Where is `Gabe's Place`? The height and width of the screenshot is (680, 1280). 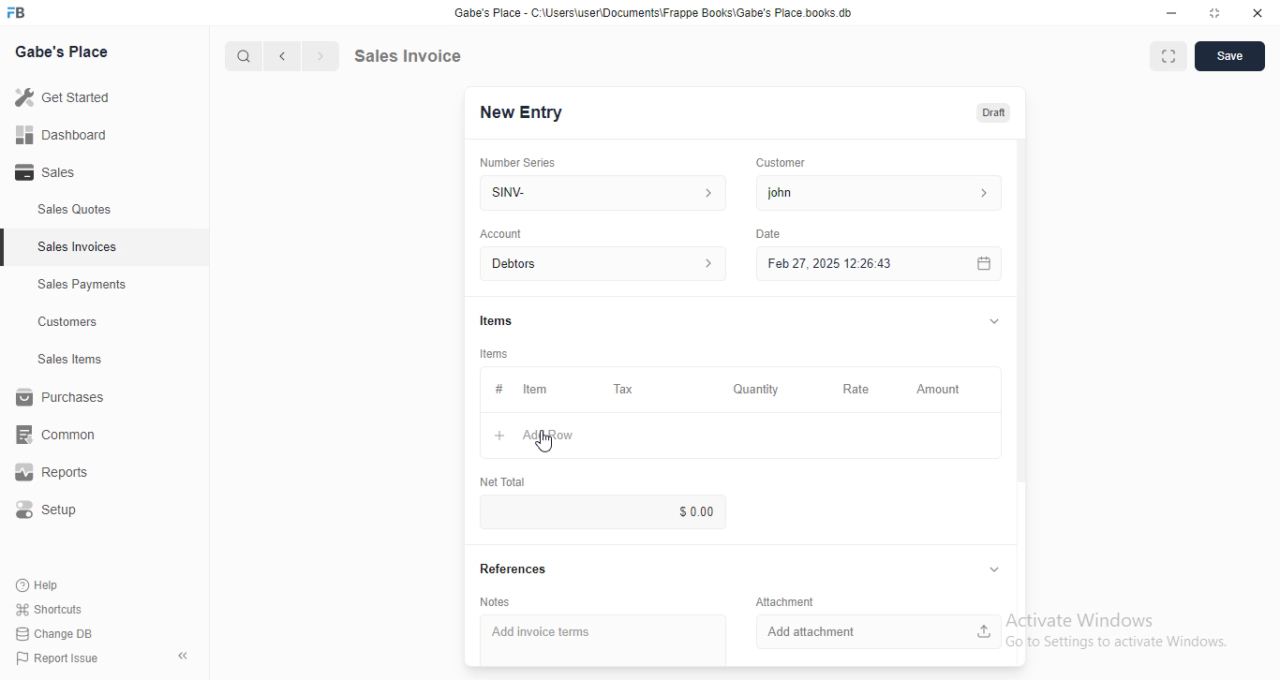 Gabe's Place is located at coordinates (65, 52).